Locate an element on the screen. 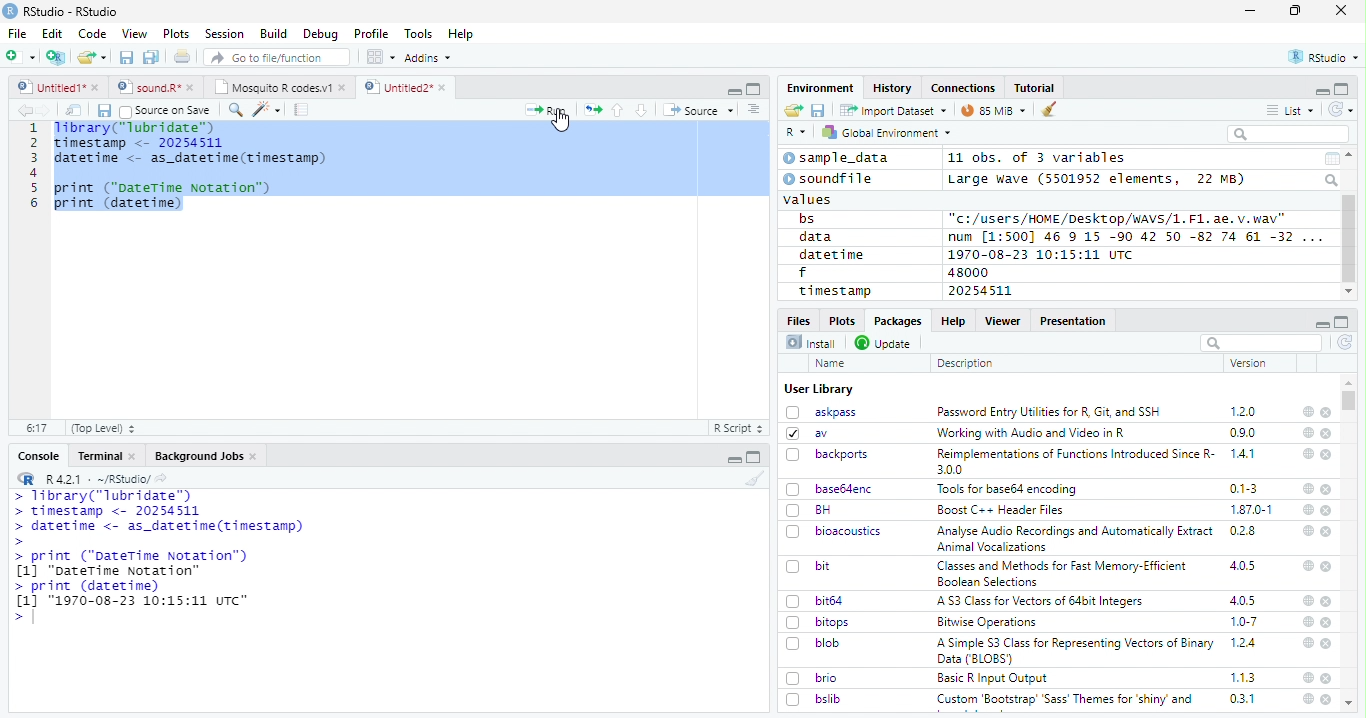  timestamp is located at coordinates (834, 290).